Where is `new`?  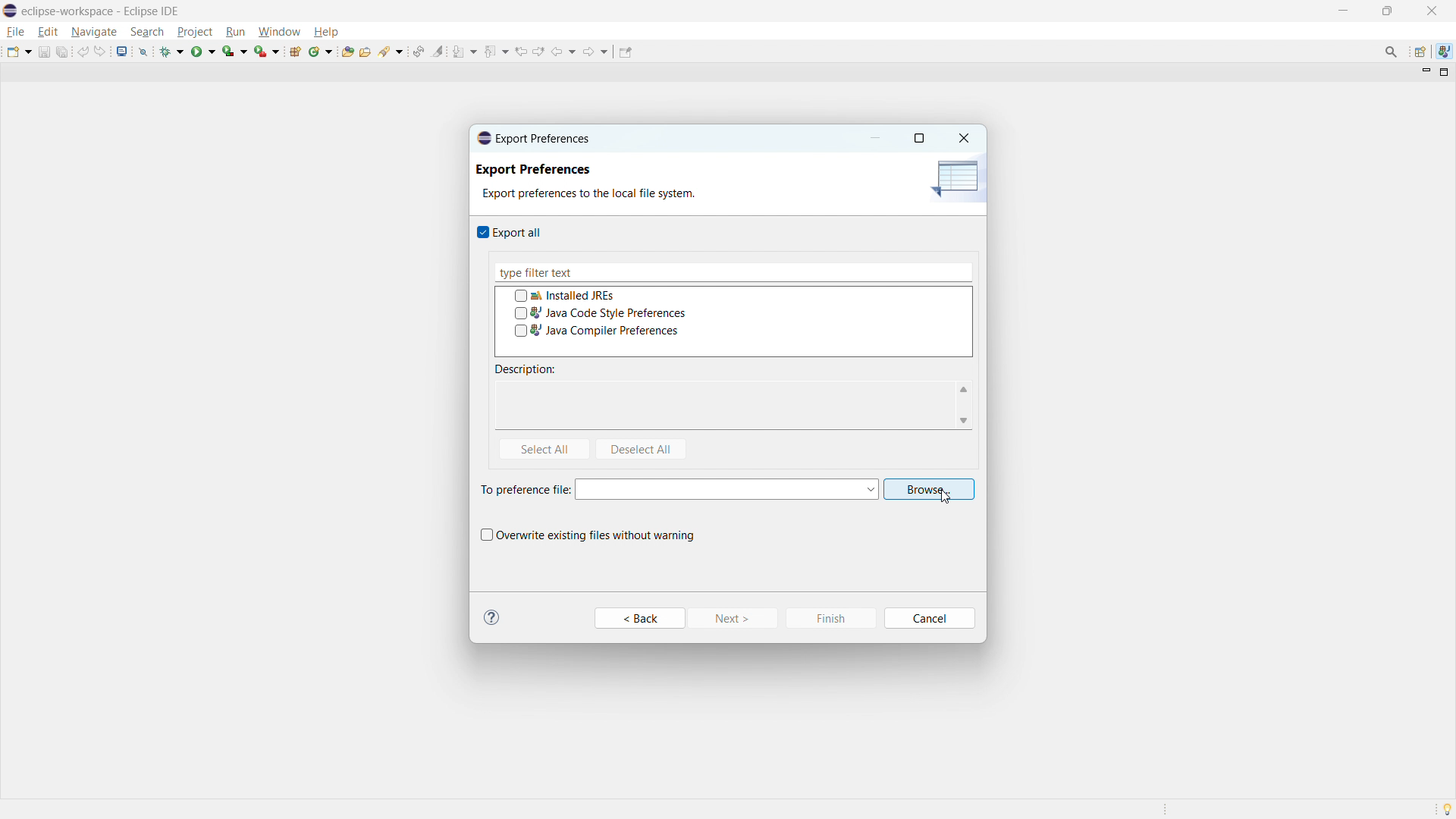 new is located at coordinates (19, 52).